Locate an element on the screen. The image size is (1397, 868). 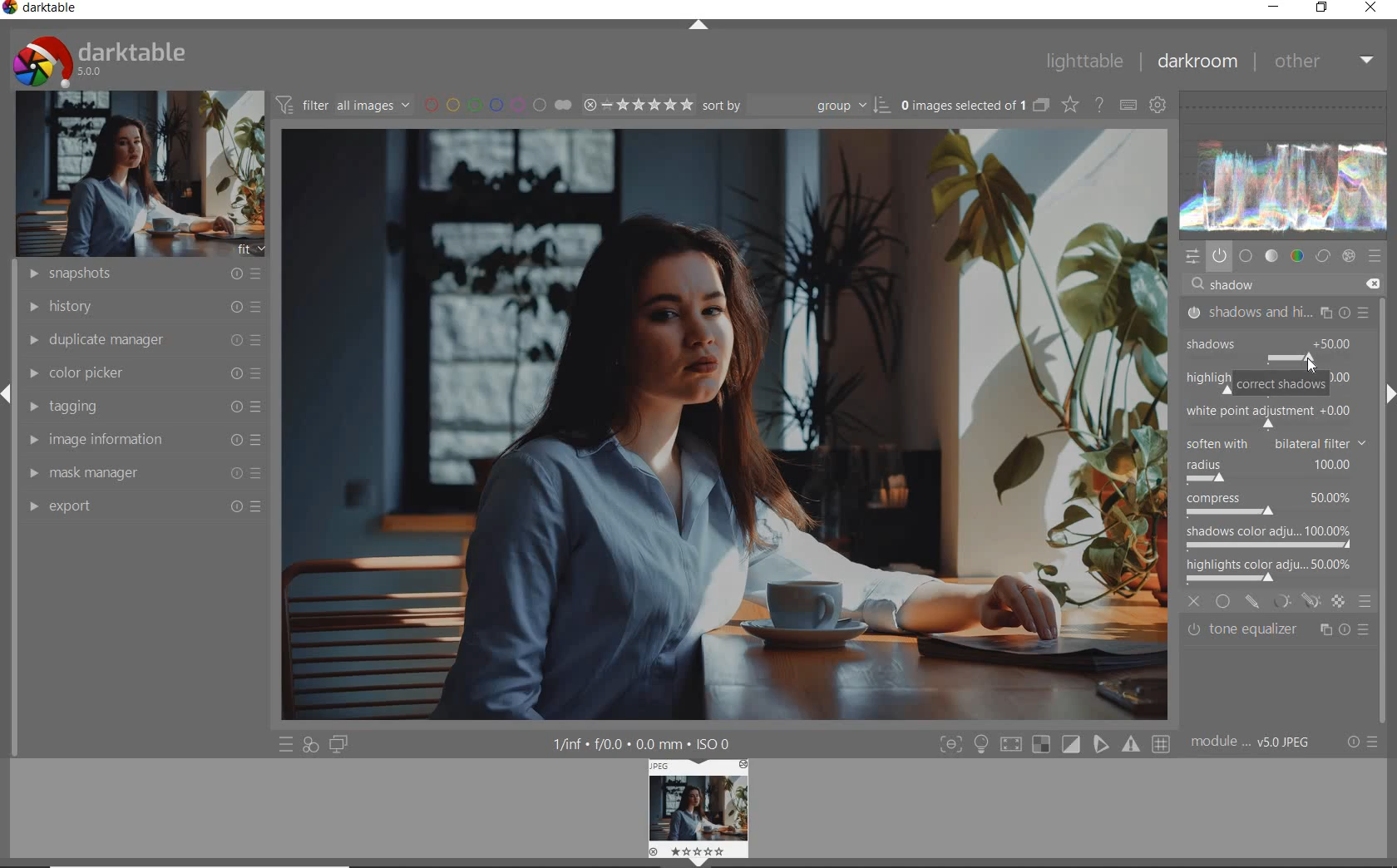
darkroom is located at coordinates (1196, 62).